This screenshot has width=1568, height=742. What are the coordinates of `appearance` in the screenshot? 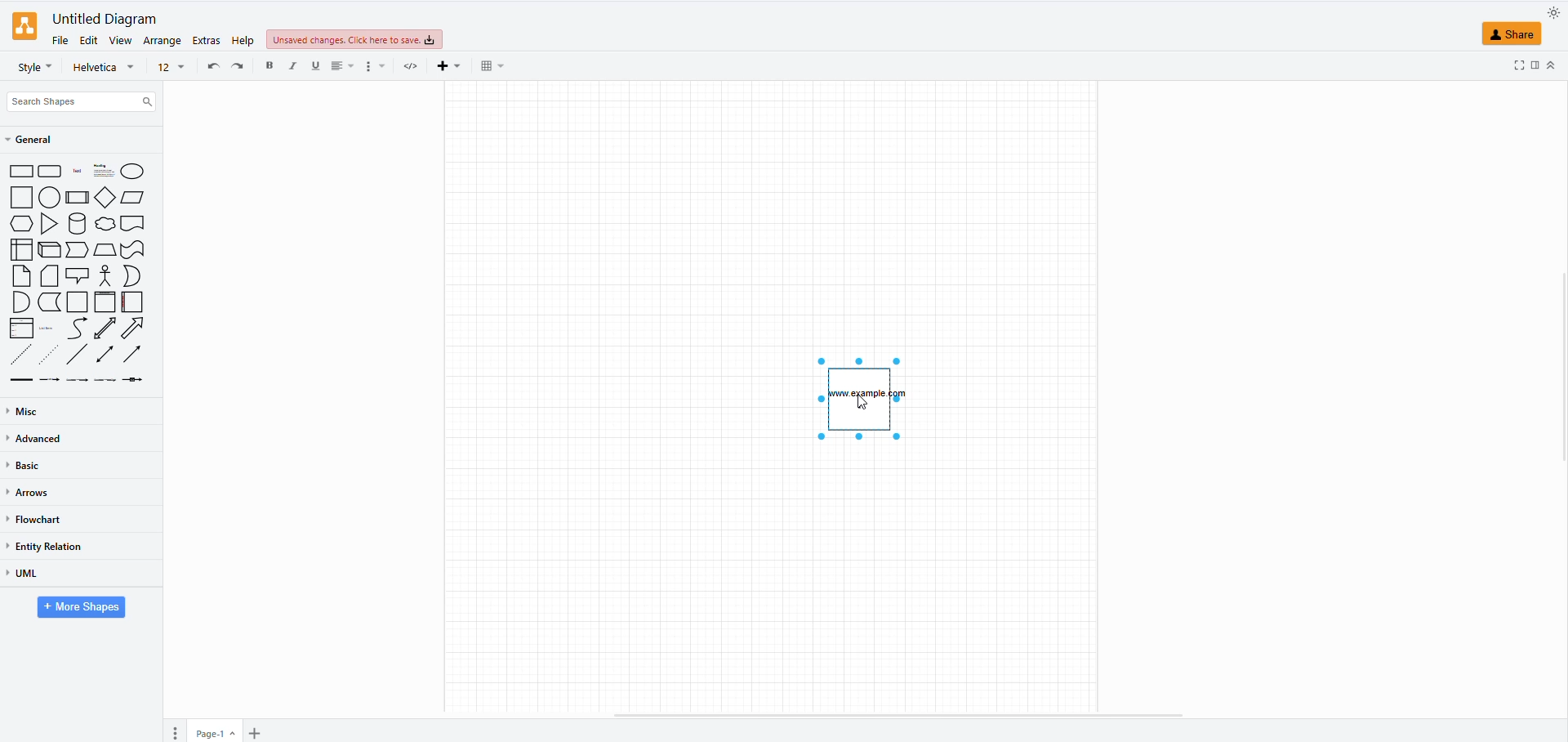 It's located at (1548, 14).